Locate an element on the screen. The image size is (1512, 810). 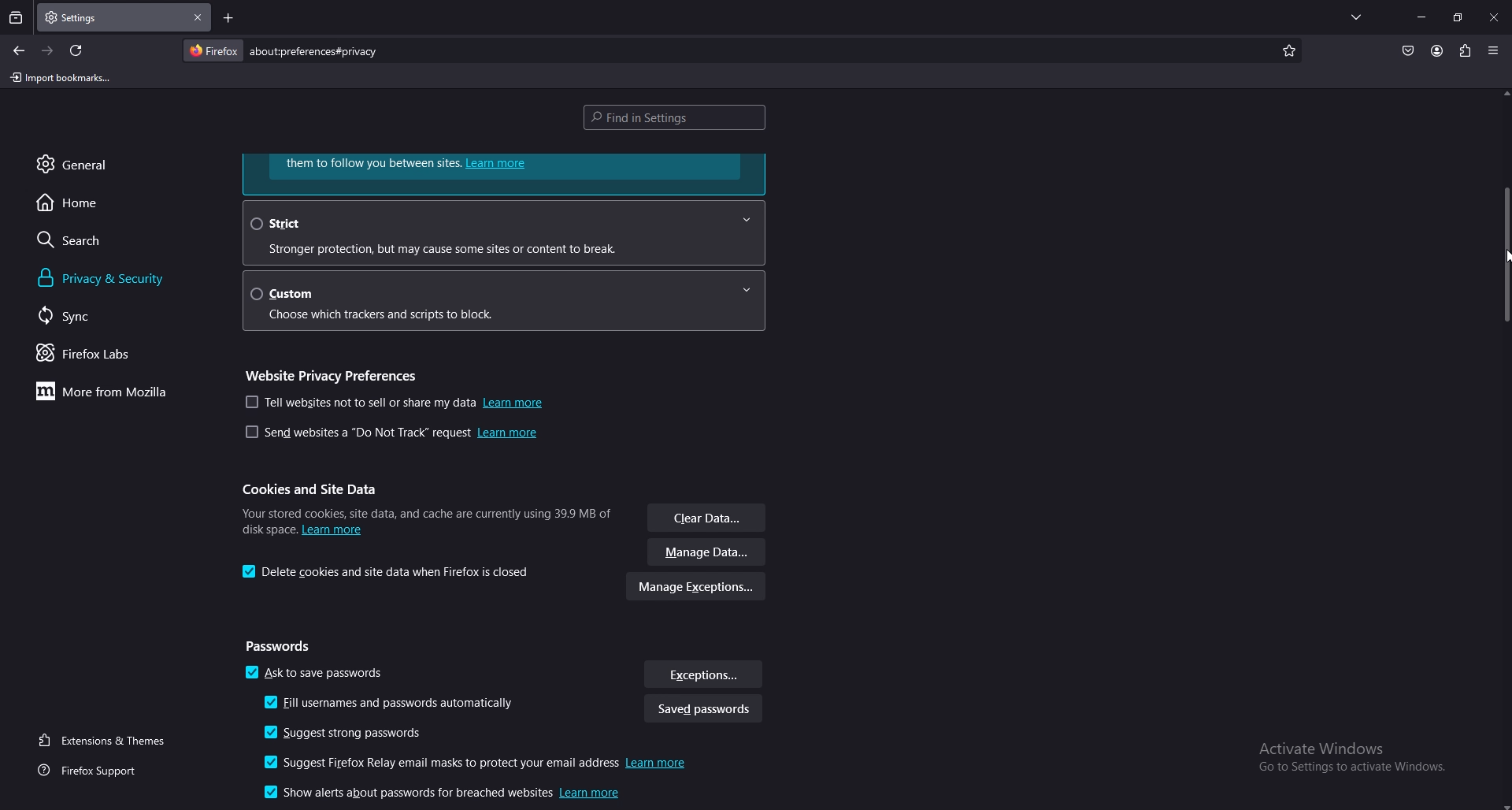
ask to save pass is located at coordinates (317, 675).